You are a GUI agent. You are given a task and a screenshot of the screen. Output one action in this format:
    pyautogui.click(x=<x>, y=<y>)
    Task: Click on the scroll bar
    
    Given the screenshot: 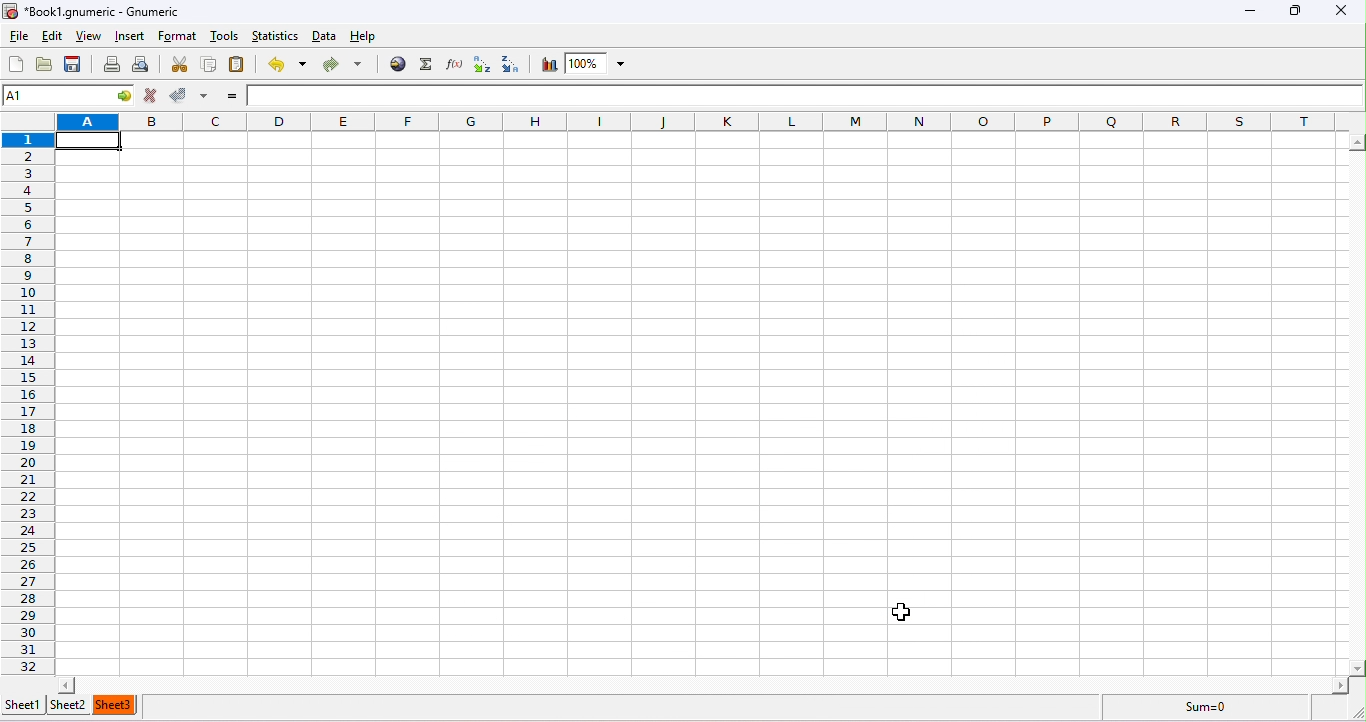 What is the action you would take?
    pyautogui.click(x=700, y=684)
    